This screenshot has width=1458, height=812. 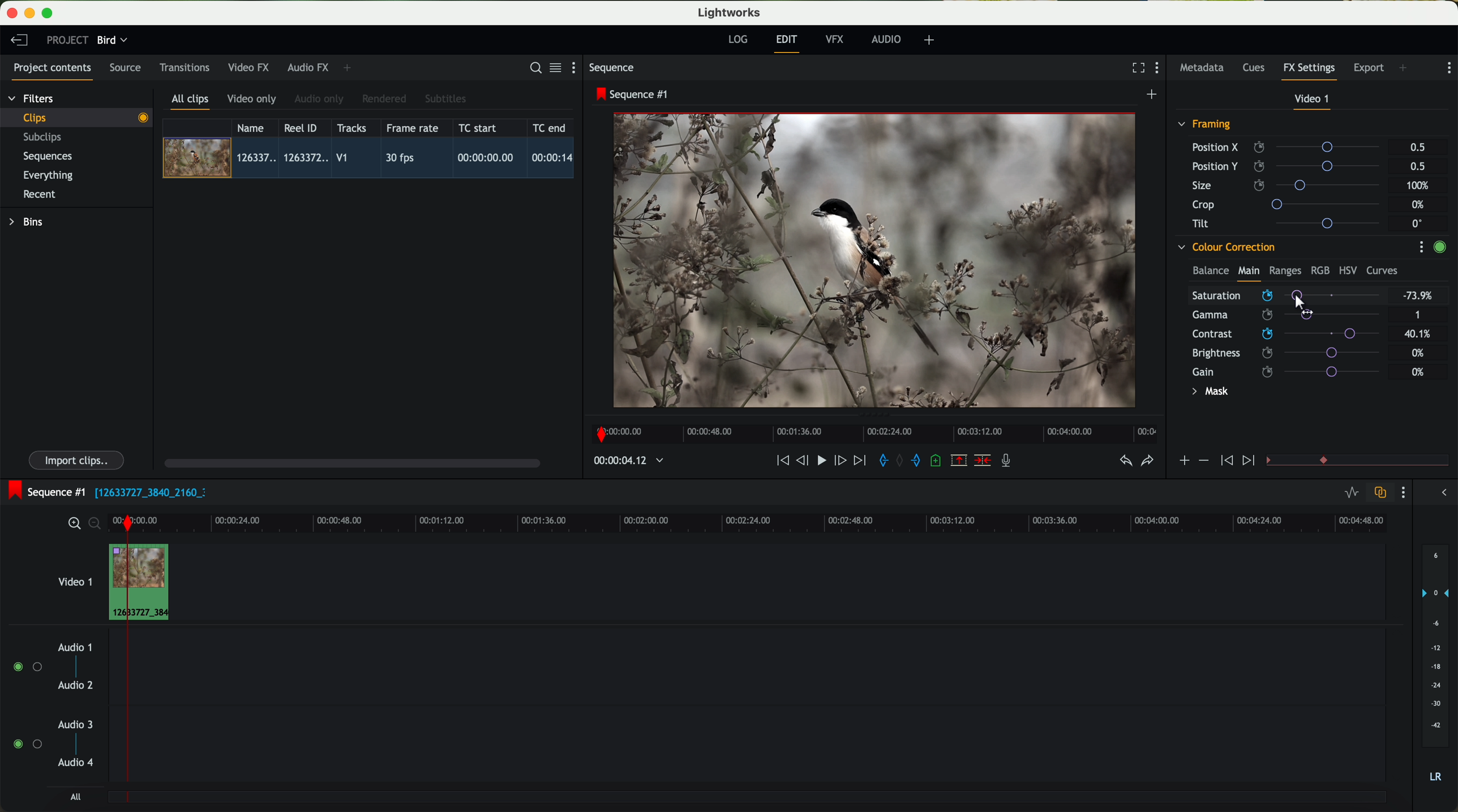 What do you see at coordinates (1436, 667) in the screenshot?
I see `audio output level (d/B)` at bounding box center [1436, 667].